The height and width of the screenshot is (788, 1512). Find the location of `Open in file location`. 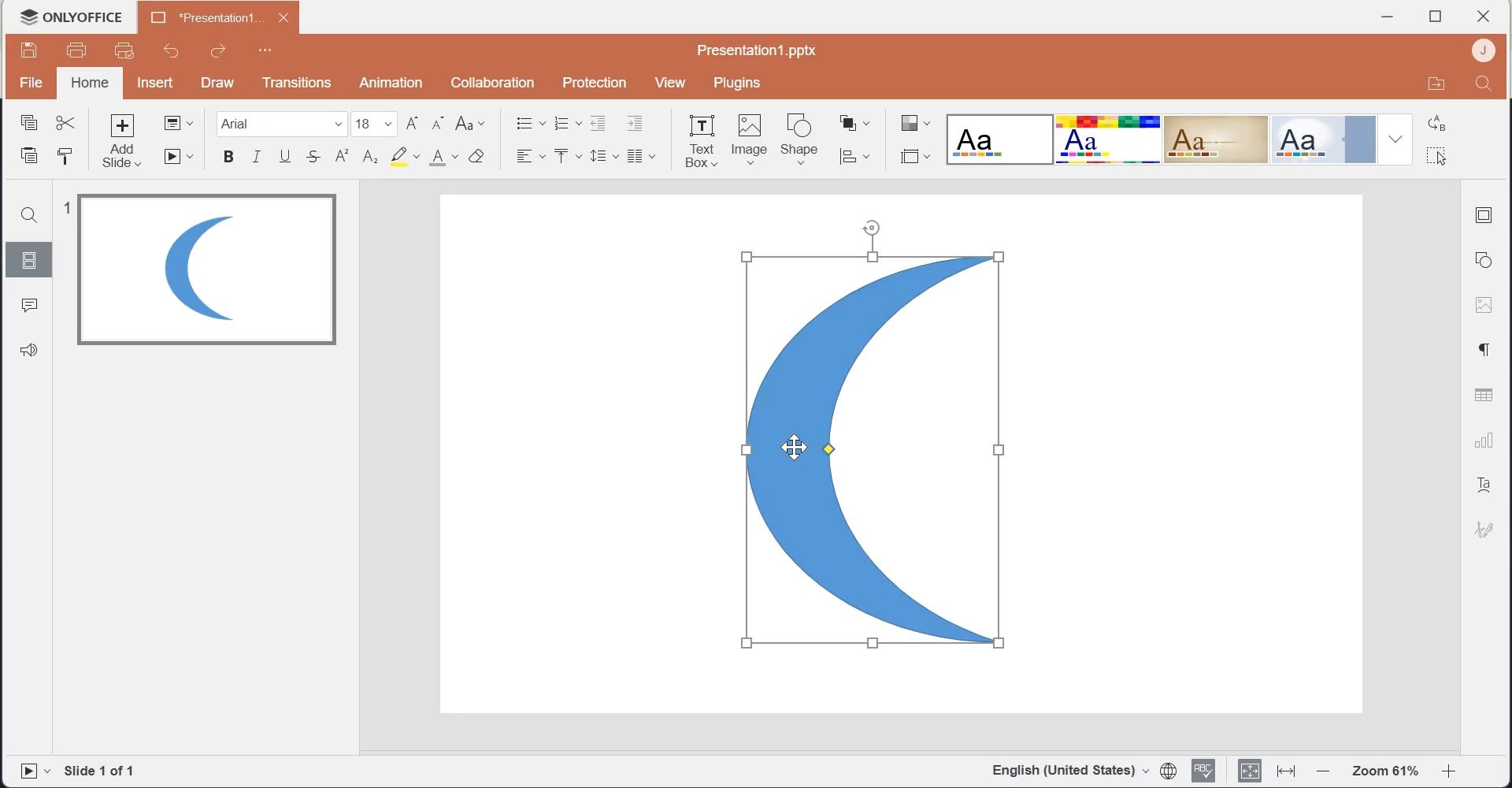

Open in file location is located at coordinates (1435, 84).